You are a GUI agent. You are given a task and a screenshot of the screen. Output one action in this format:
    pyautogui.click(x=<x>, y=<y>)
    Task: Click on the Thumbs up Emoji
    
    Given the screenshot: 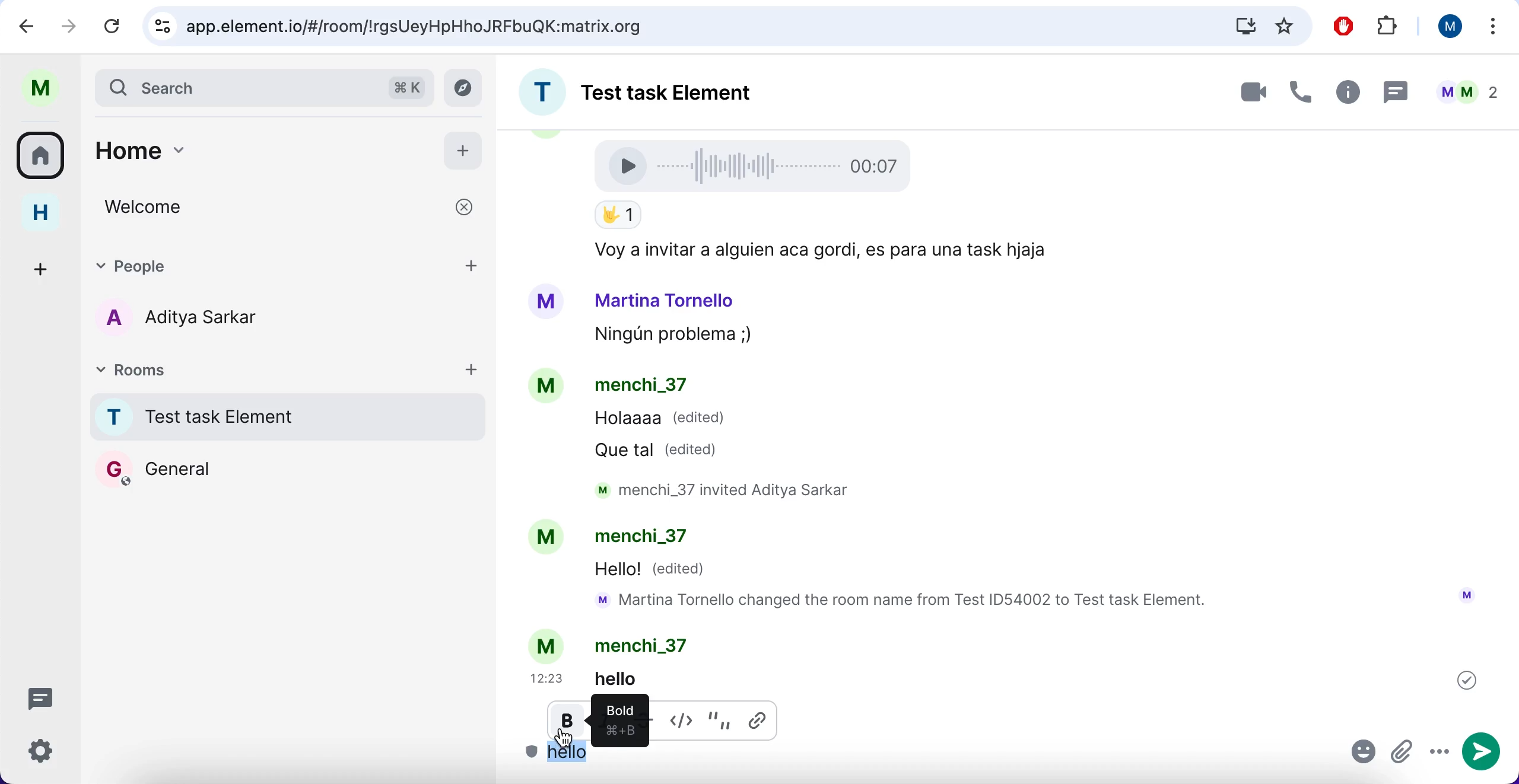 What is the action you would take?
    pyautogui.click(x=617, y=216)
    